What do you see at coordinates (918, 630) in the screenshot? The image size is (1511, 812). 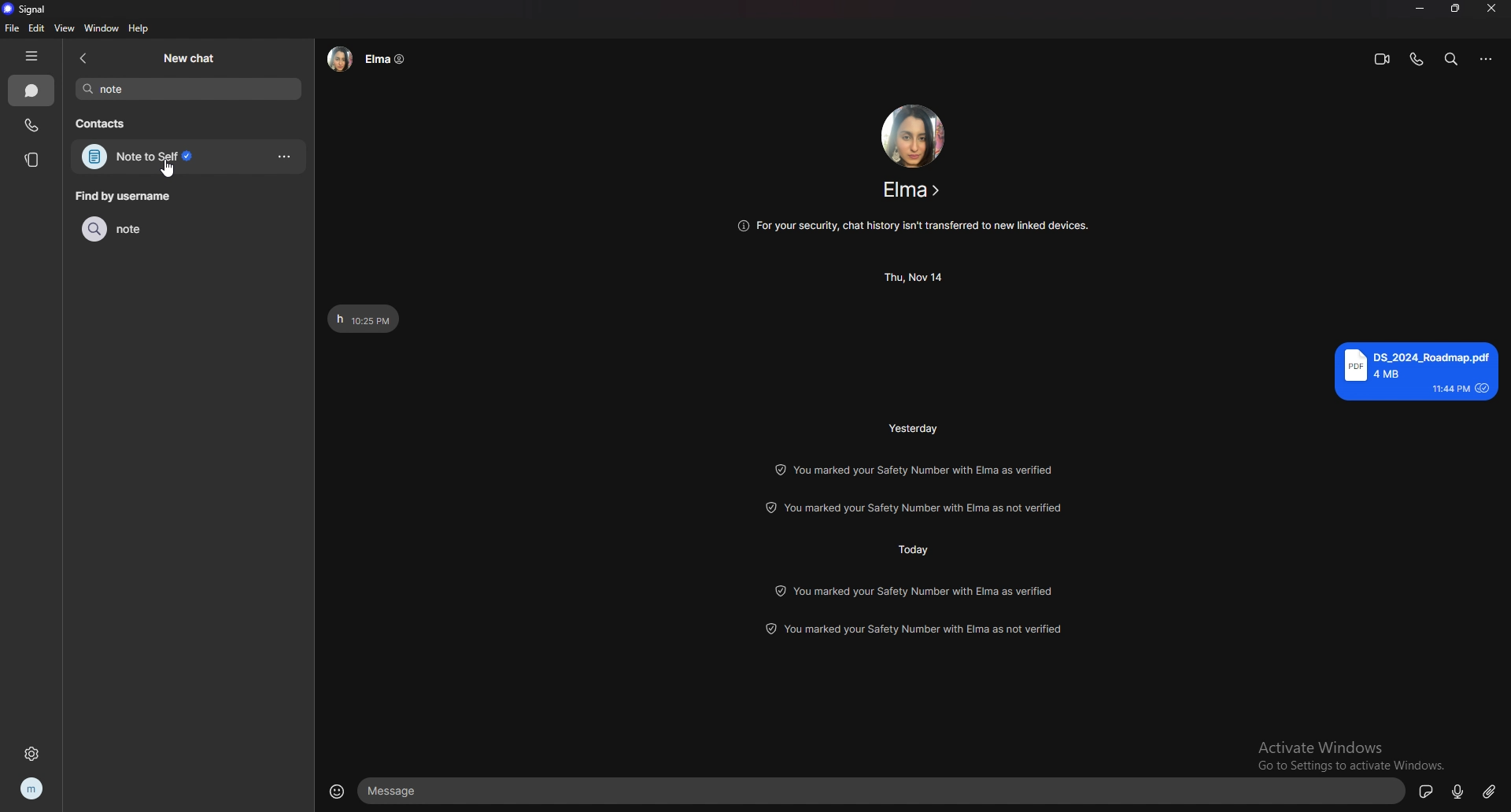 I see `update` at bounding box center [918, 630].